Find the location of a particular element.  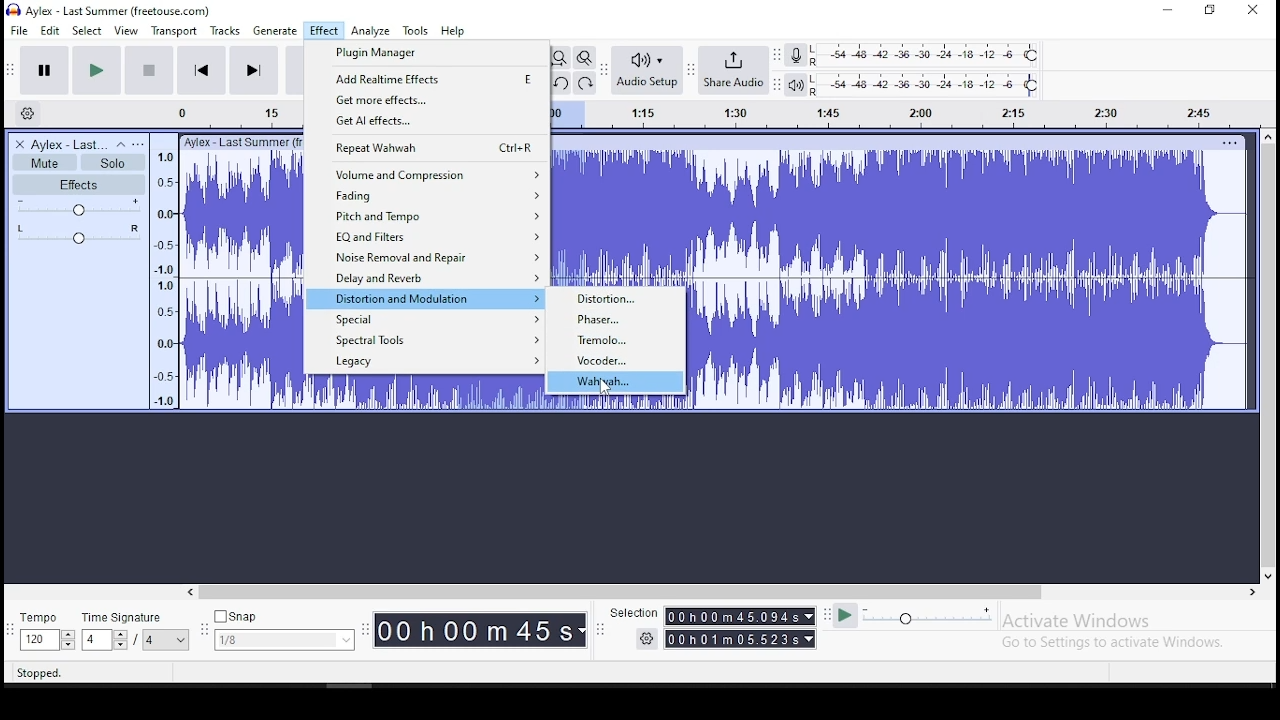

stop is located at coordinates (149, 70).